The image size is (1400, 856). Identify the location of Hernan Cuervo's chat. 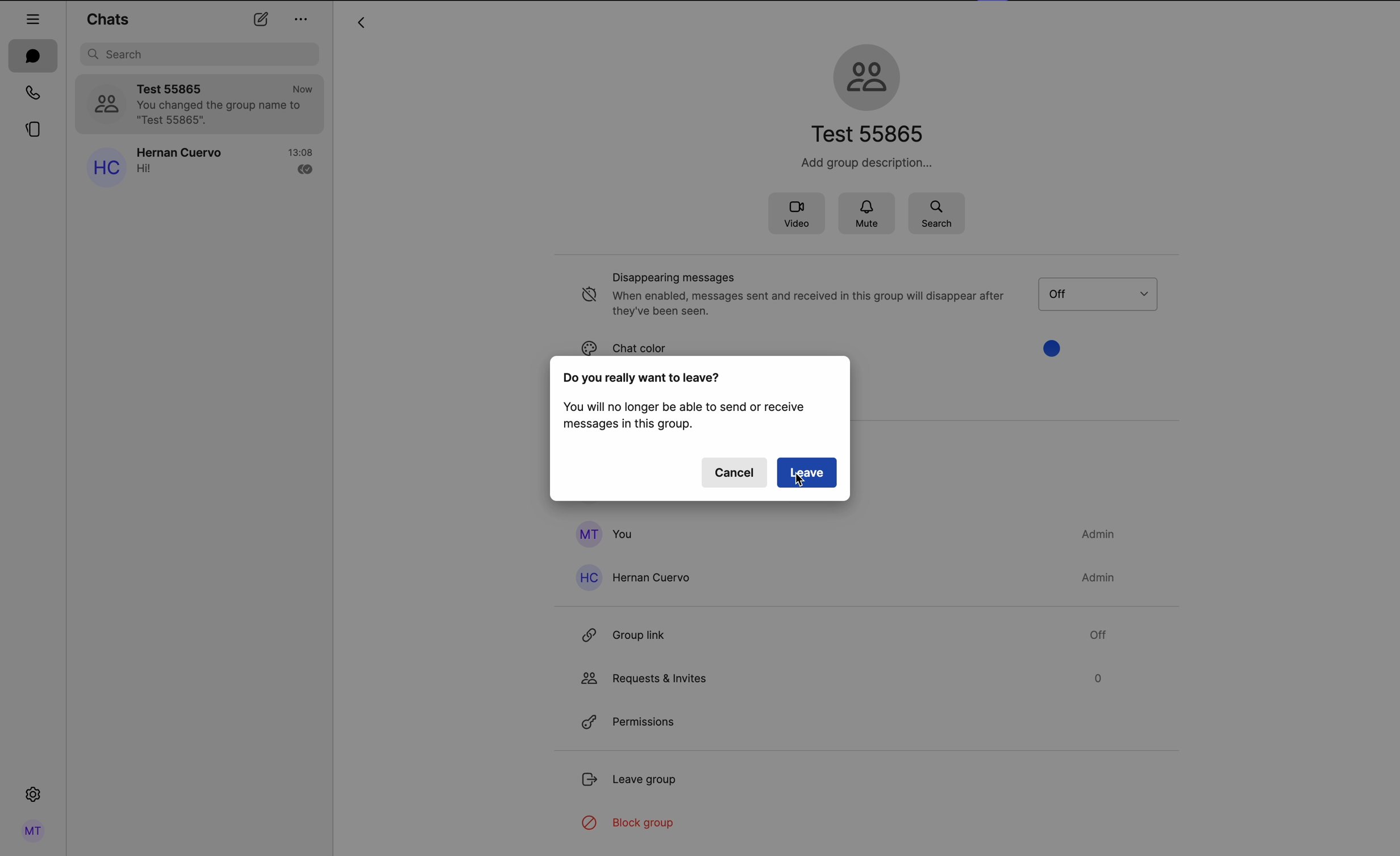
(227, 165).